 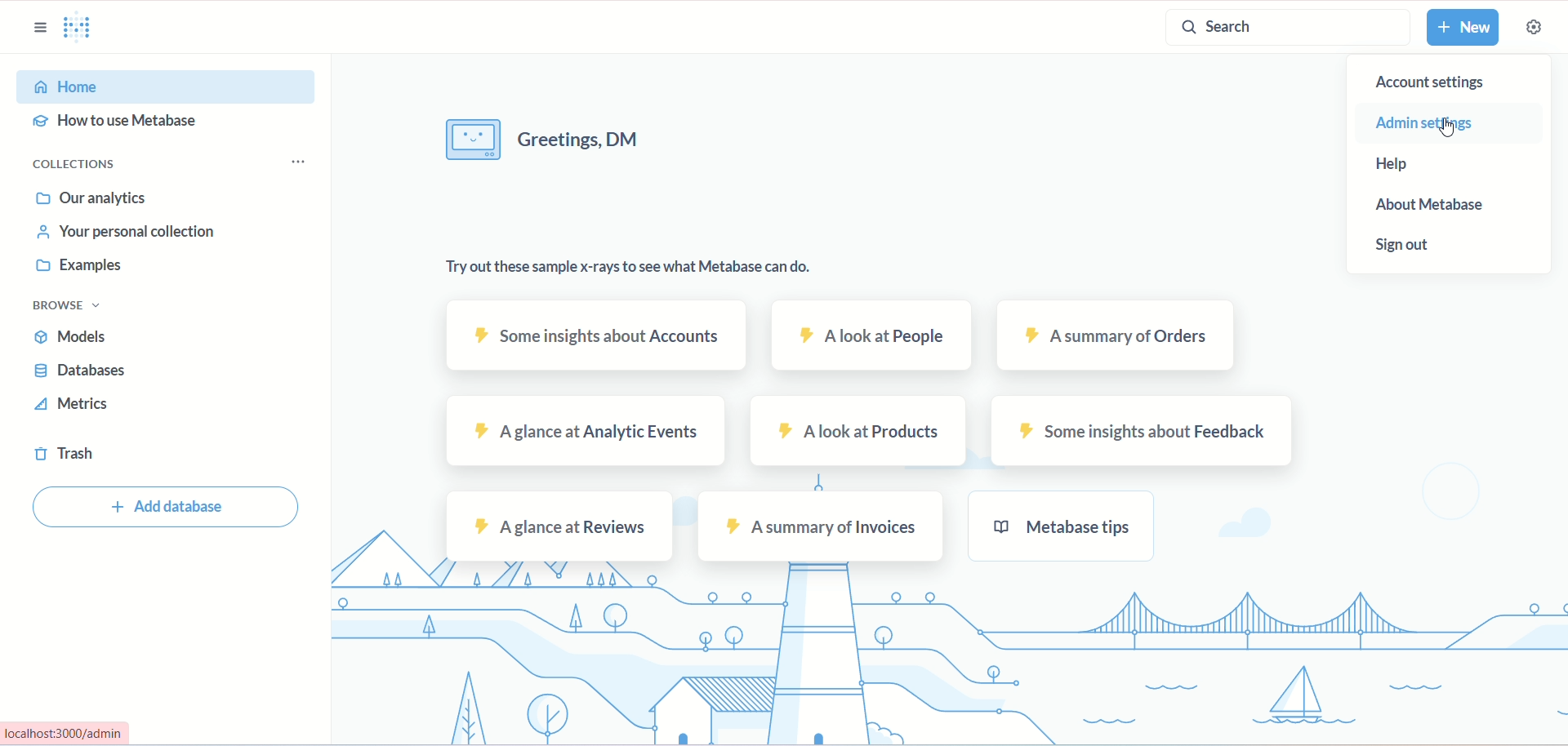 What do you see at coordinates (1463, 27) in the screenshot?
I see `new` at bounding box center [1463, 27].